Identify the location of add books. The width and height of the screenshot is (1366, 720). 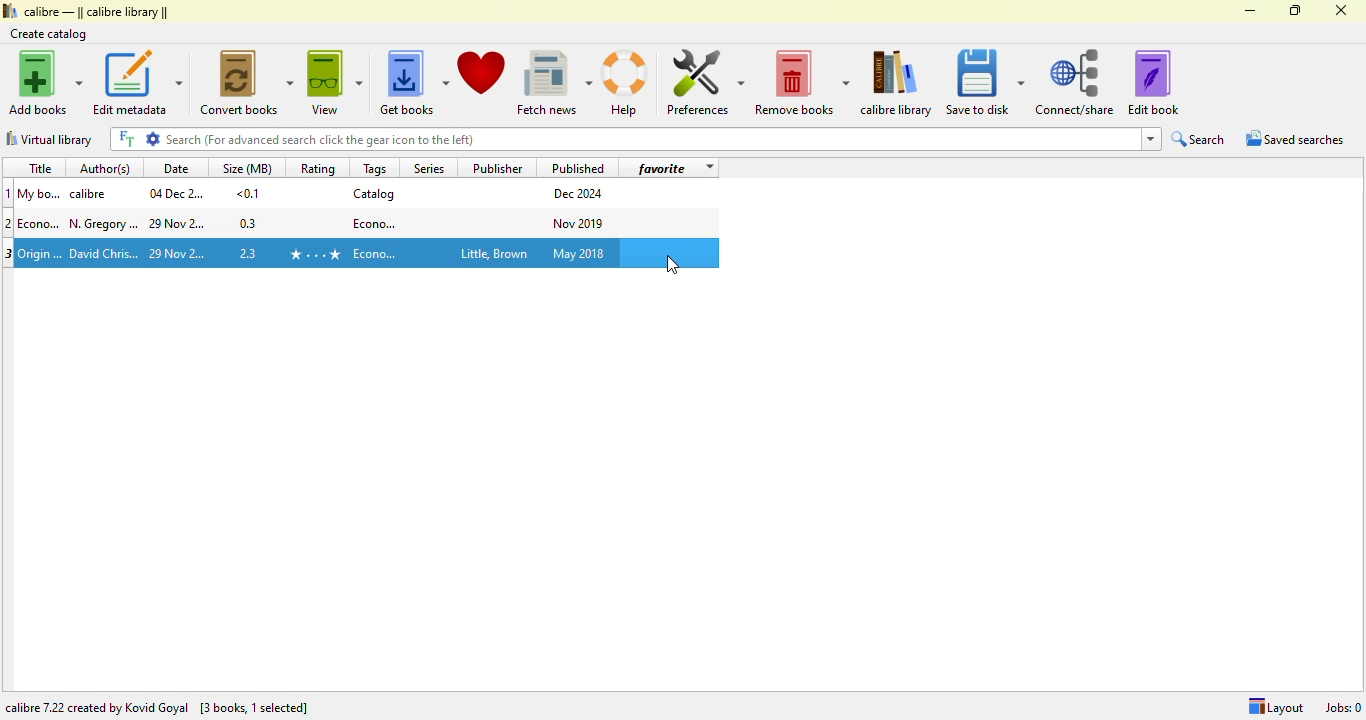
(46, 82).